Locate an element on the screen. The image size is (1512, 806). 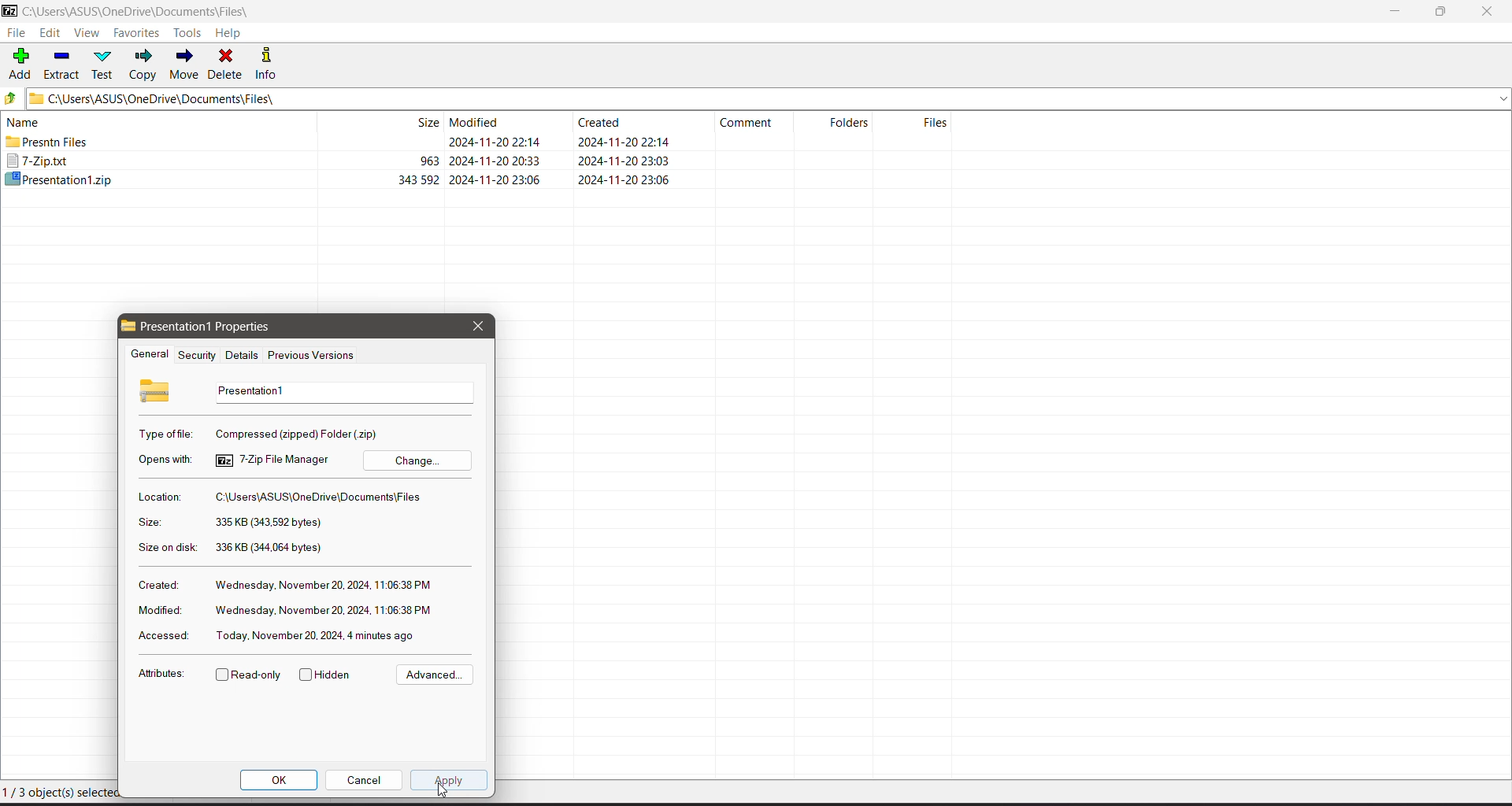
Favorites is located at coordinates (137, 33).